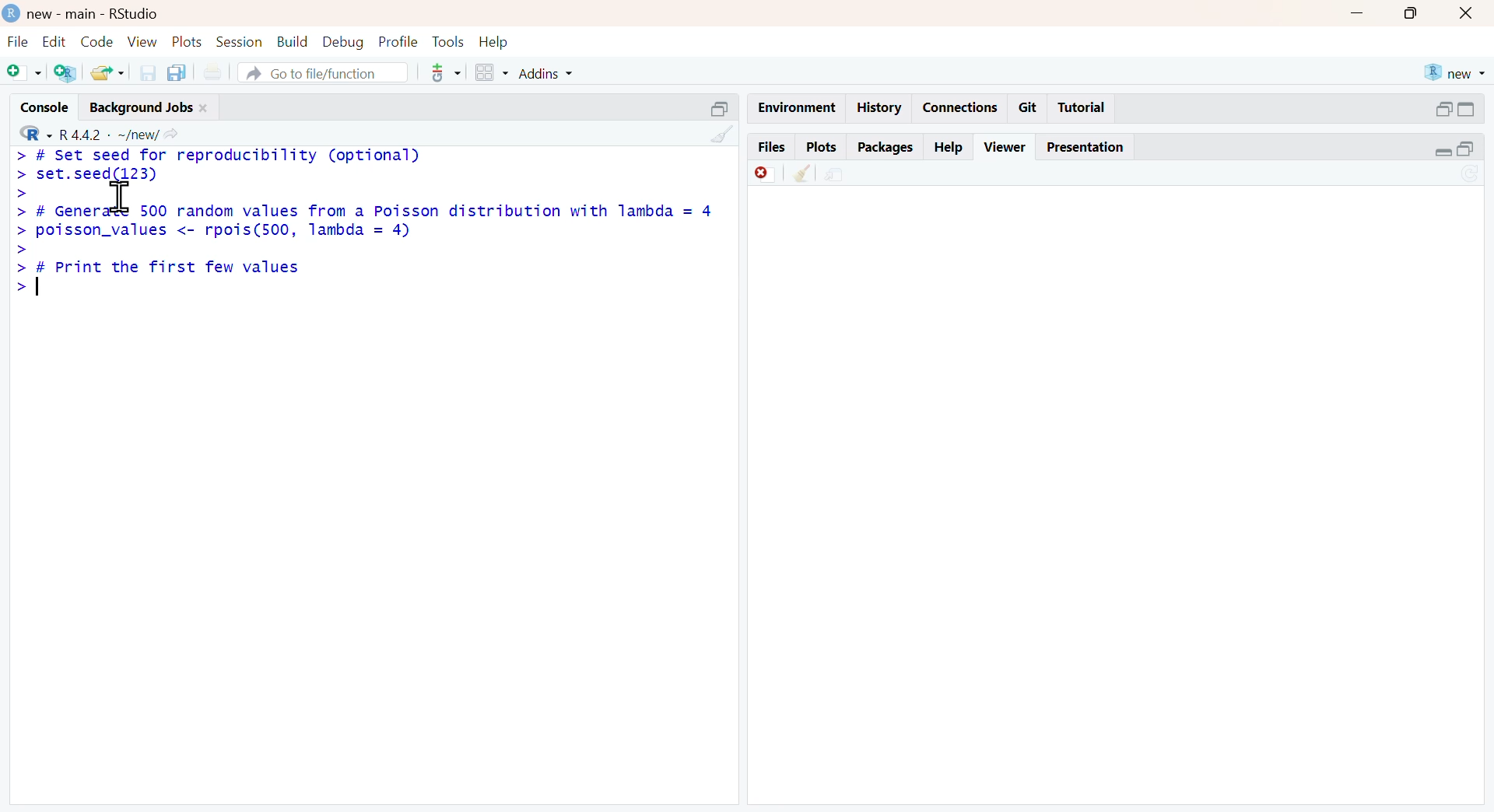  What do you see at coordinates (1444, 110) in the screenshot?
I see `open in separate window` at bounding box center [1444, 110].